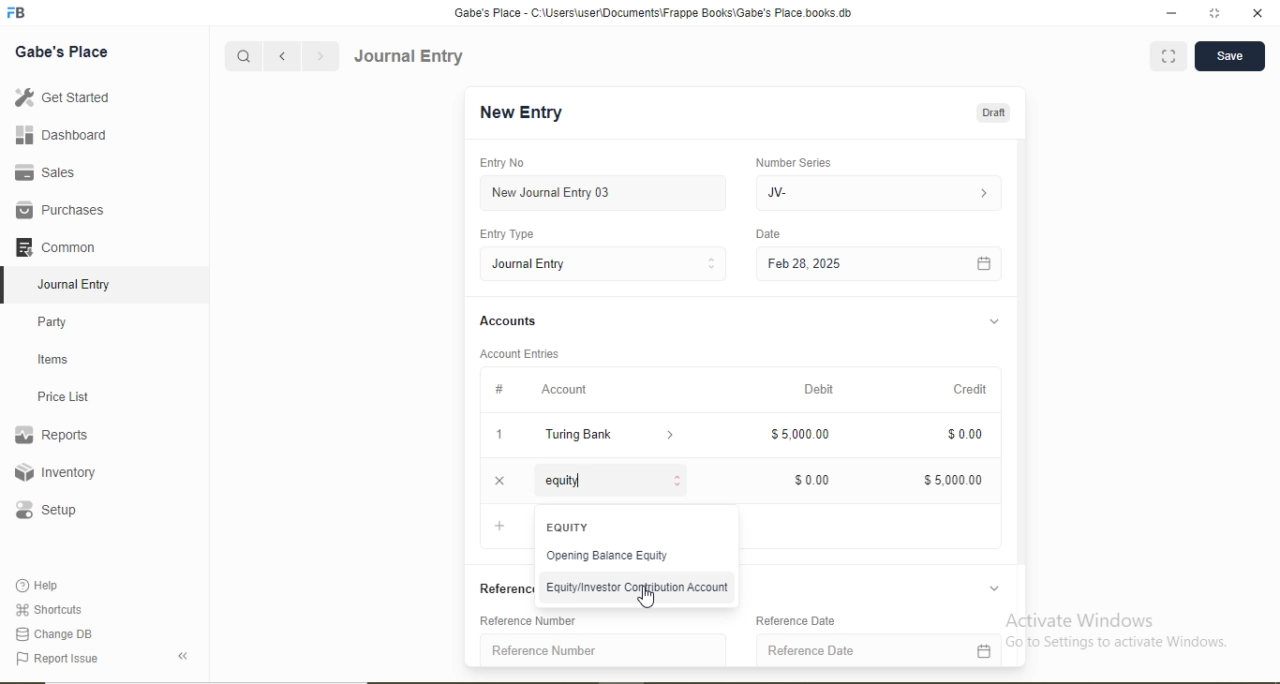 This screenshot has height=684, width=1280. Describe the element at coordinates (582, 434) in the screenshot. I see `Turing Bank` at that location.